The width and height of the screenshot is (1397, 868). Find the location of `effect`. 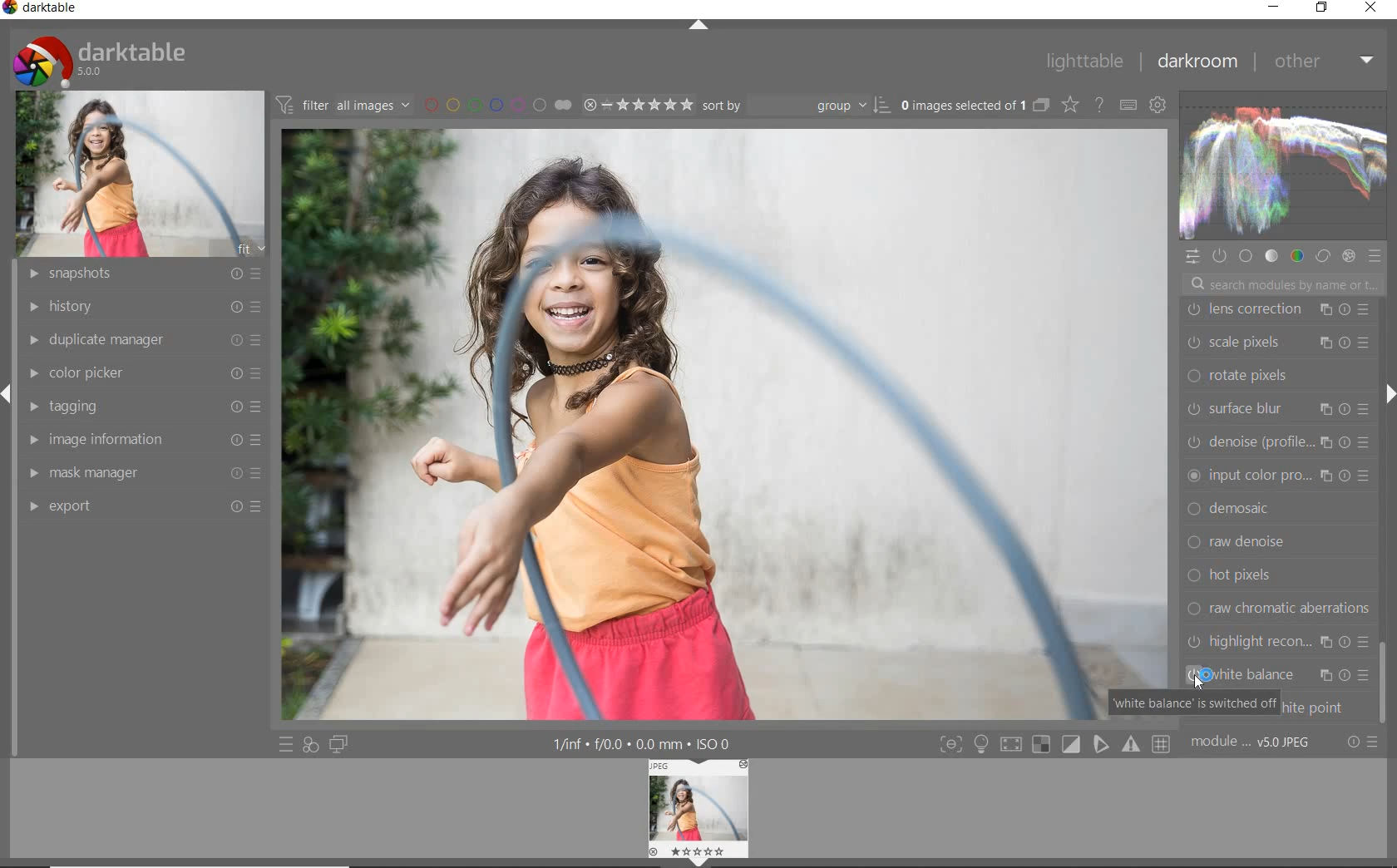

effect is located at coordinates (1348, 255).